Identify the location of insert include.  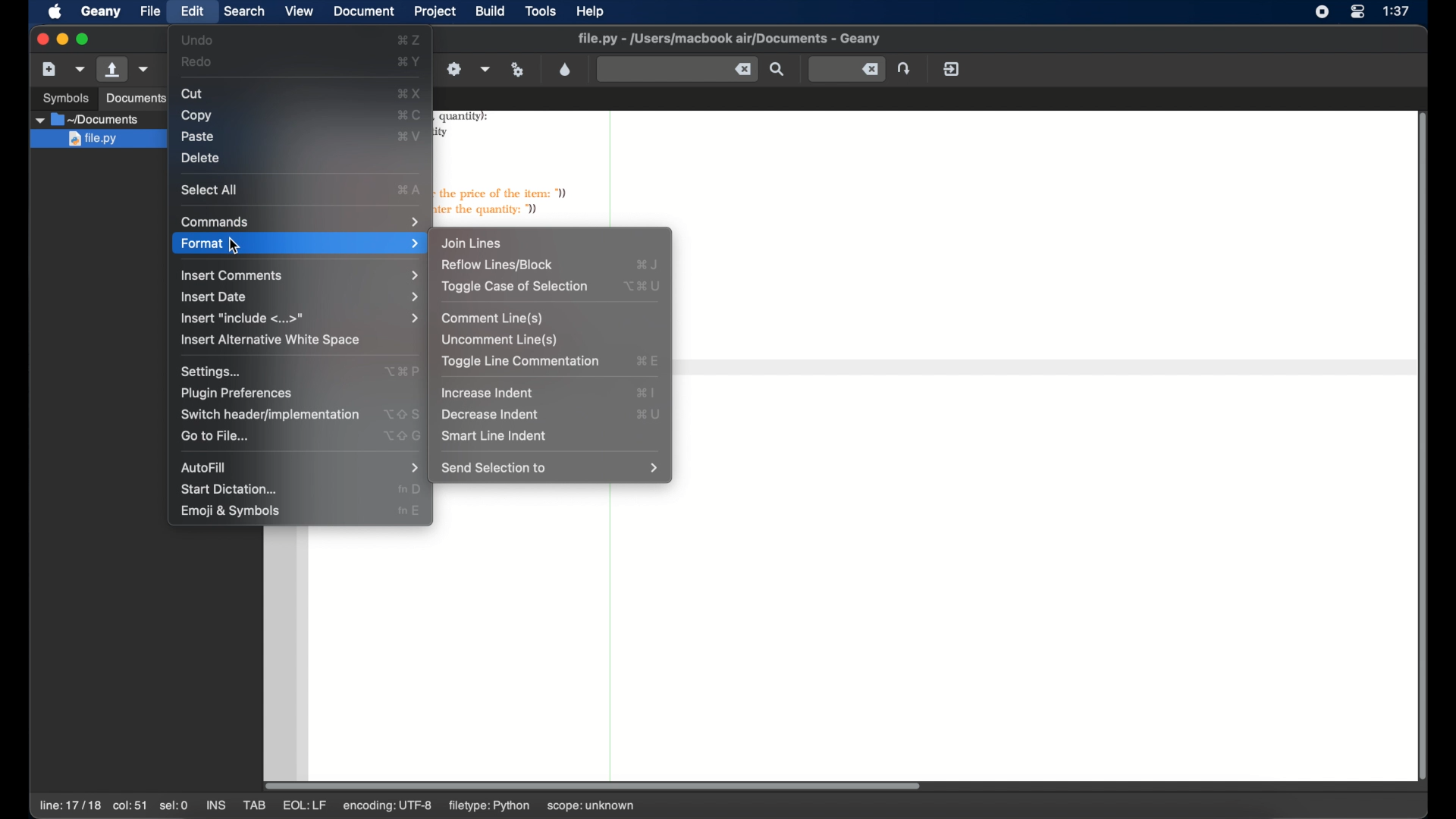
(297, 318).